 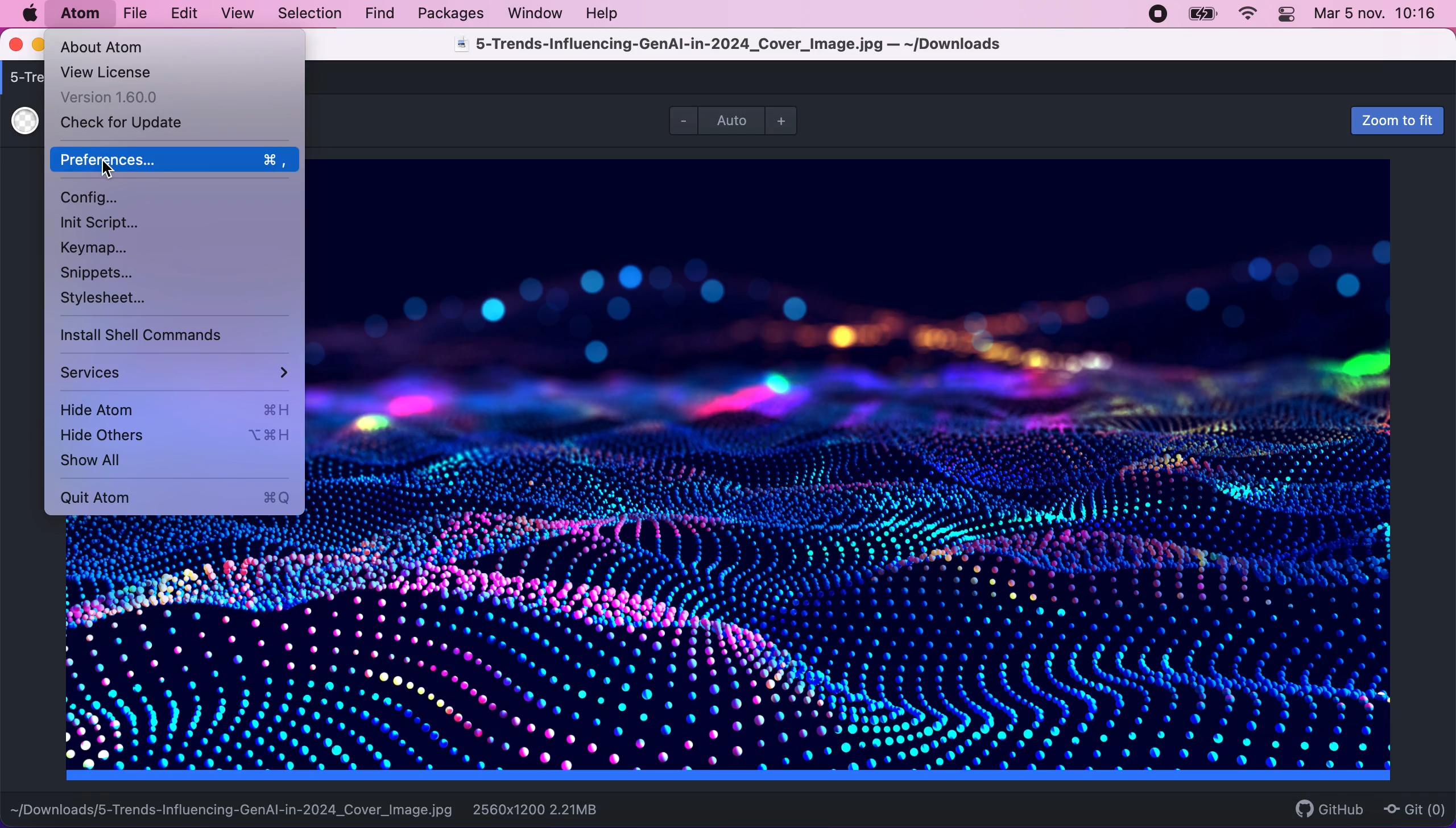 I want to click on preferences, so click(x=173, y=160).